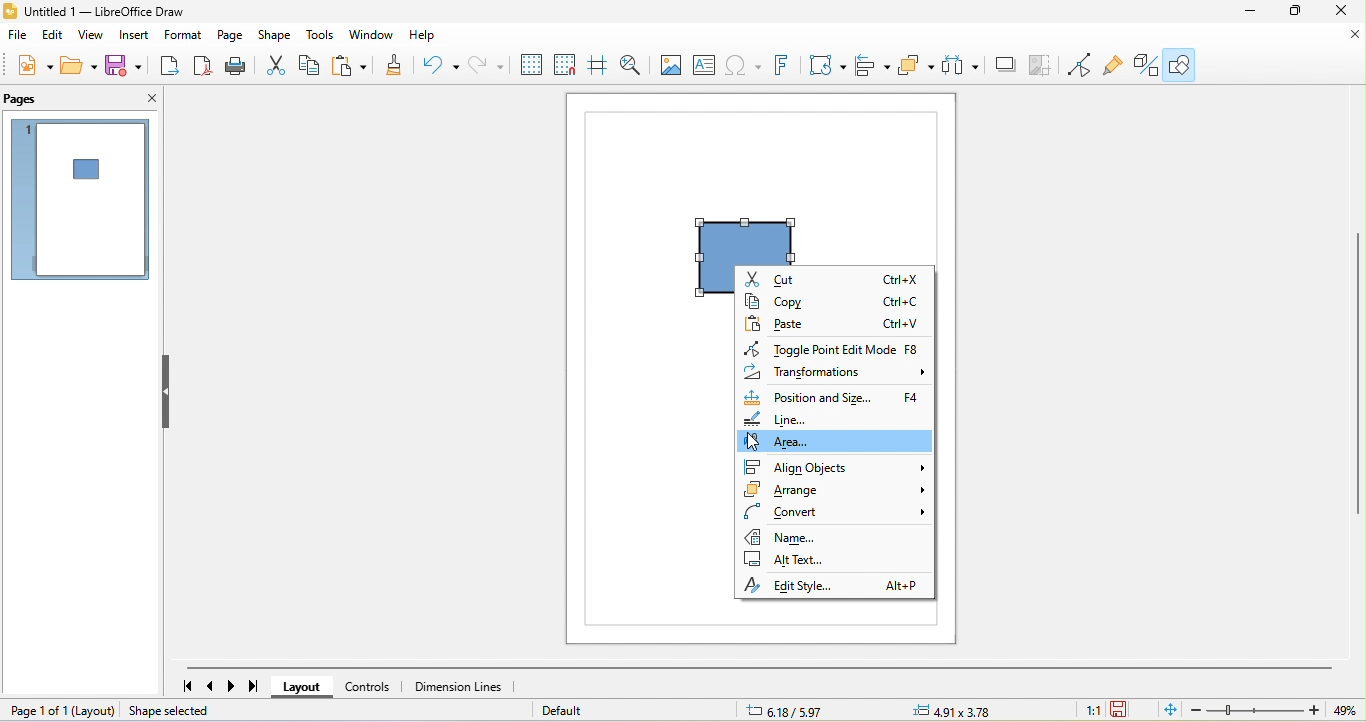  Describe the element at coordinates (1114, 65) in the screenshot. I see `show gluepoint function` at that location.